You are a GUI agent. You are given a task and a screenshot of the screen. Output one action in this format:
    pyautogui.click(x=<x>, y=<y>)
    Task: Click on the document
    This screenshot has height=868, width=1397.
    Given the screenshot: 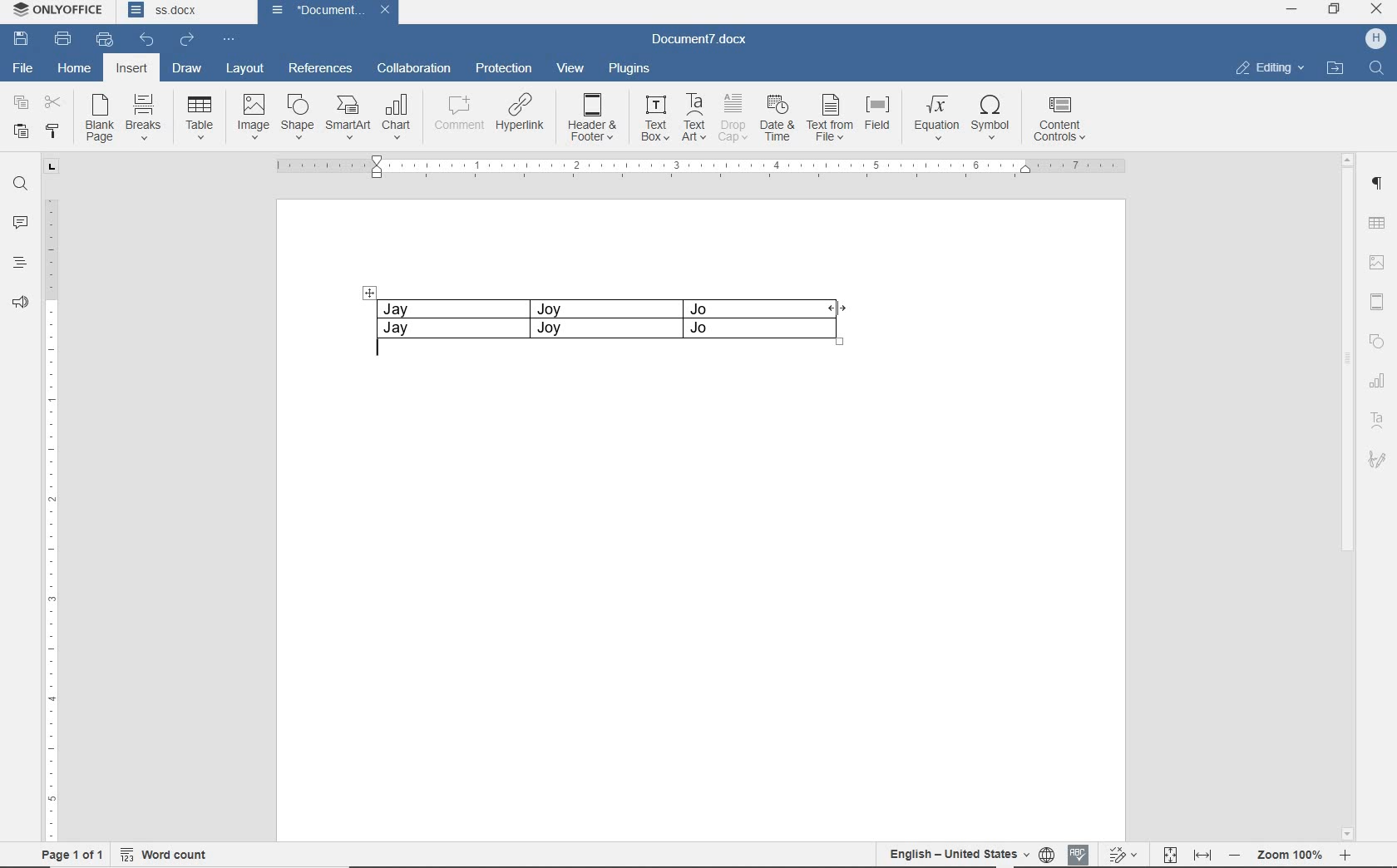 What is the action you would take?
    pyautogui.click(x=310, y=11)
    